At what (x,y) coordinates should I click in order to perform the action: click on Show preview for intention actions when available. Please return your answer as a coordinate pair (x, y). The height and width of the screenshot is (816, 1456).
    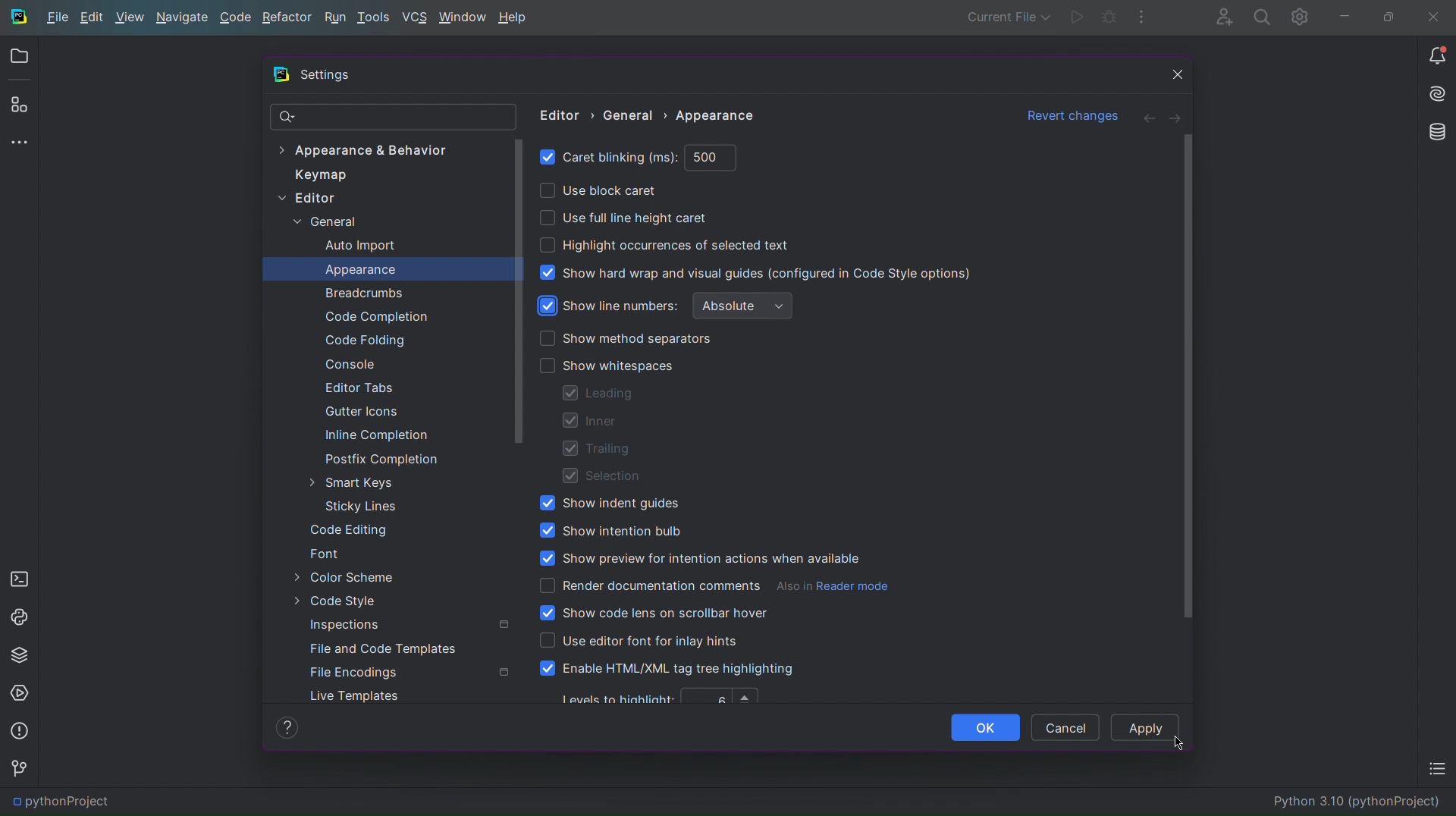
    Looking at the image, I should click on (698, 559).